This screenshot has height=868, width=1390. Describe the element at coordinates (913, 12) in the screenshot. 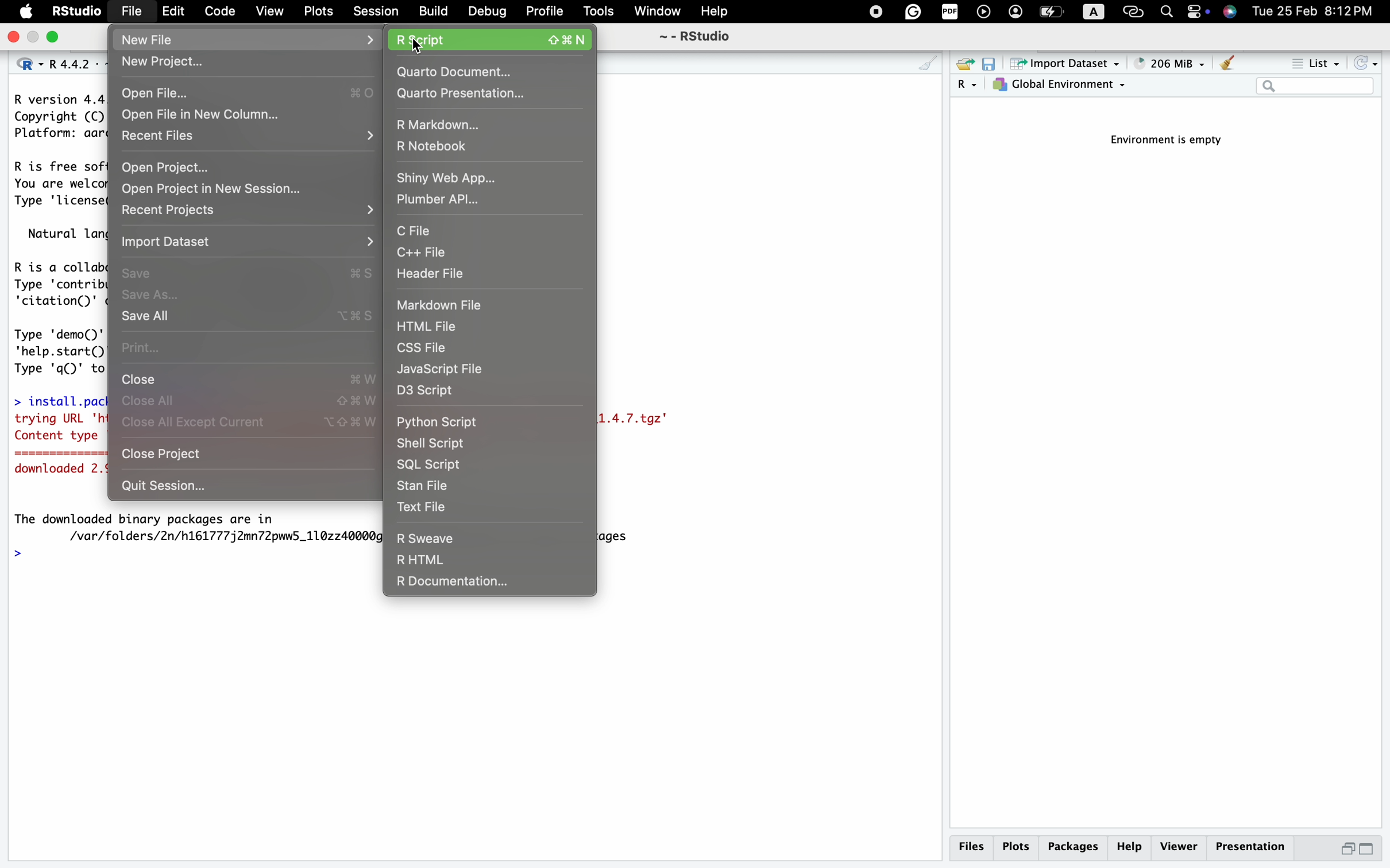

I see `grammarly` at that location.